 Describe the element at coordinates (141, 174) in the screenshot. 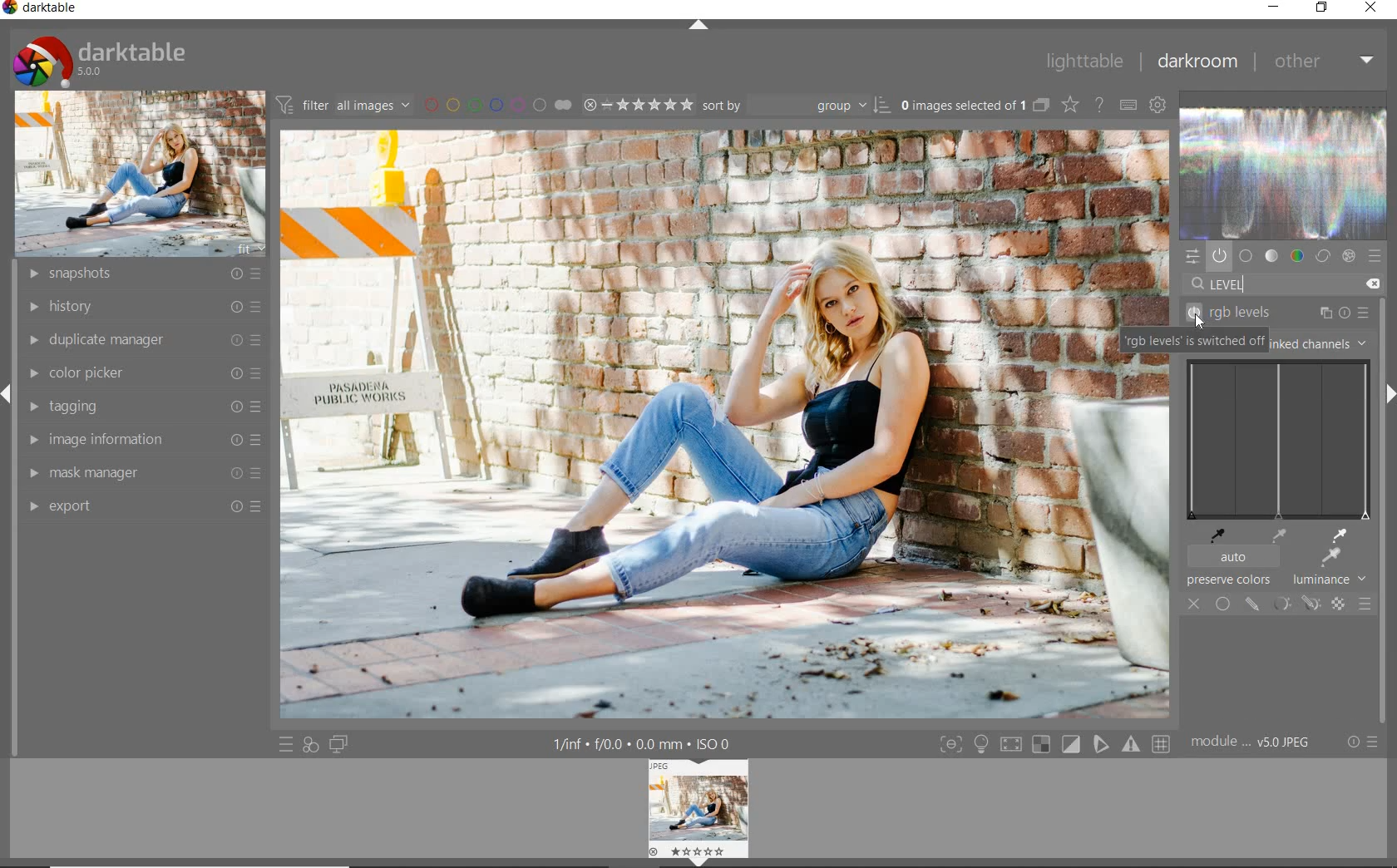

I see `image` at that location.